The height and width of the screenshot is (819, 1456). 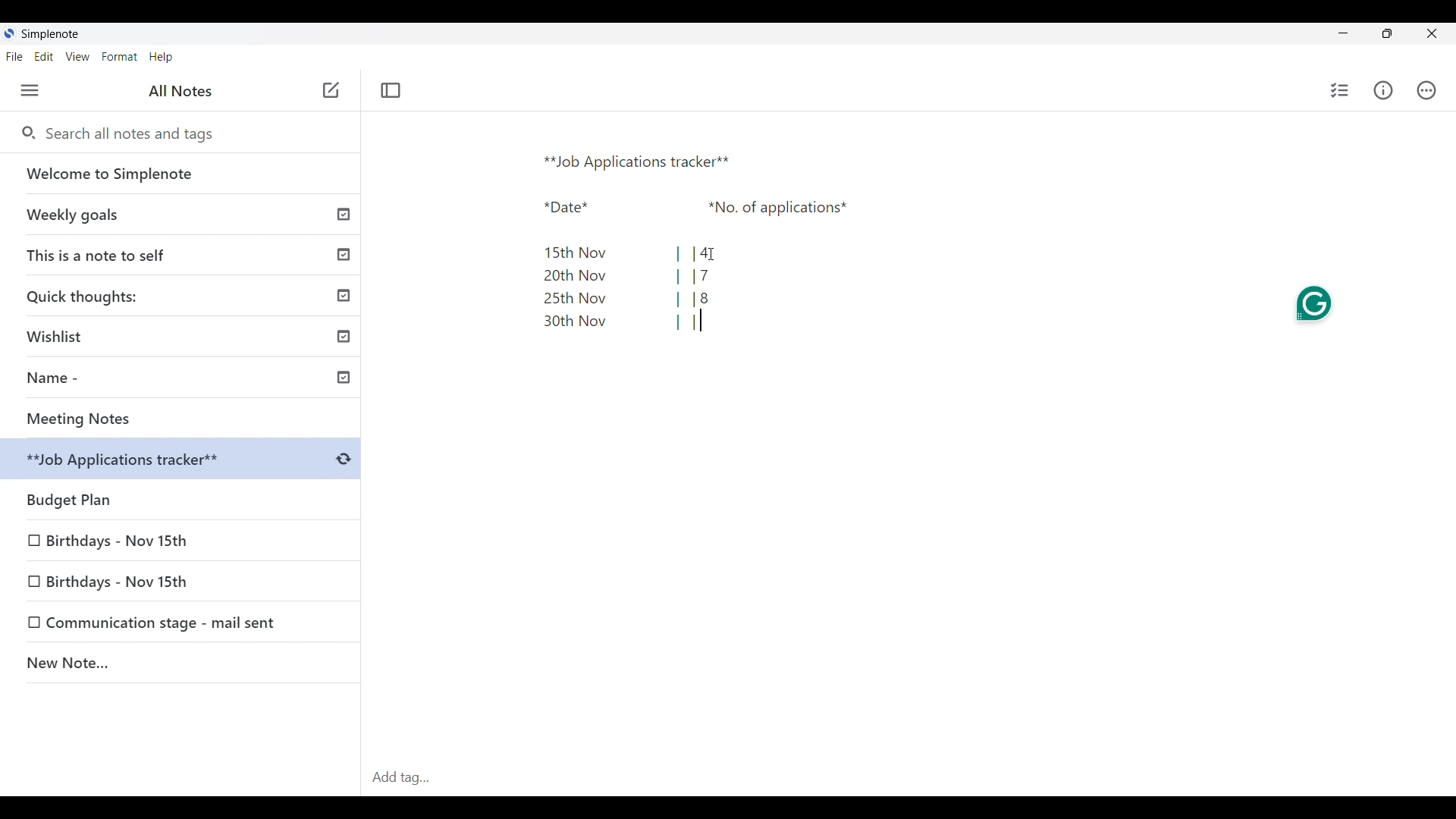 What do you see at coordinates (183, 254) in the screenshot?
I see `This is a note to self` at bounding box center [183, 254].